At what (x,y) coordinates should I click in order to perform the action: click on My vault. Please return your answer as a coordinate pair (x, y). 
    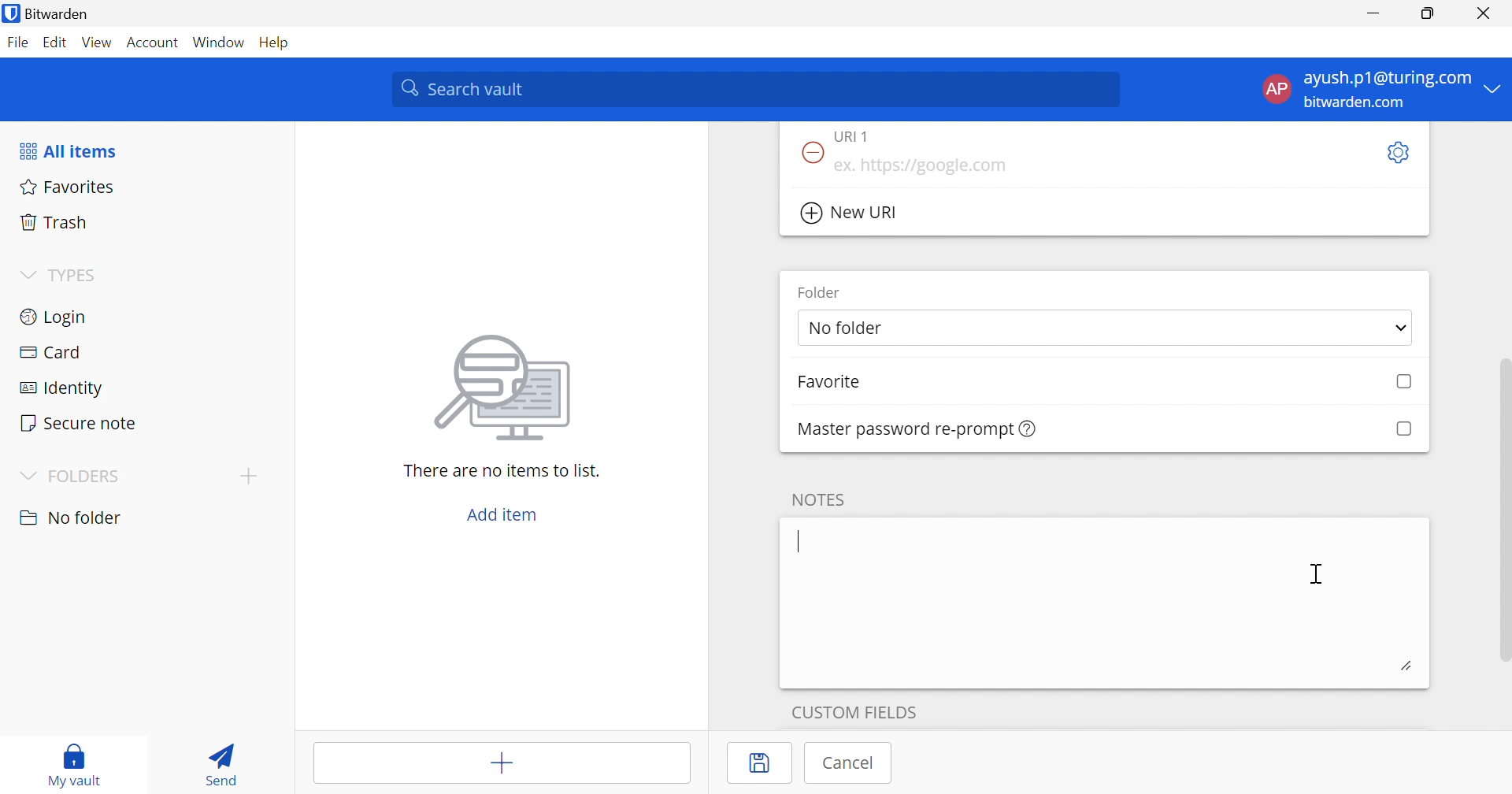
    Looking at the image, I should click on (75, 757).